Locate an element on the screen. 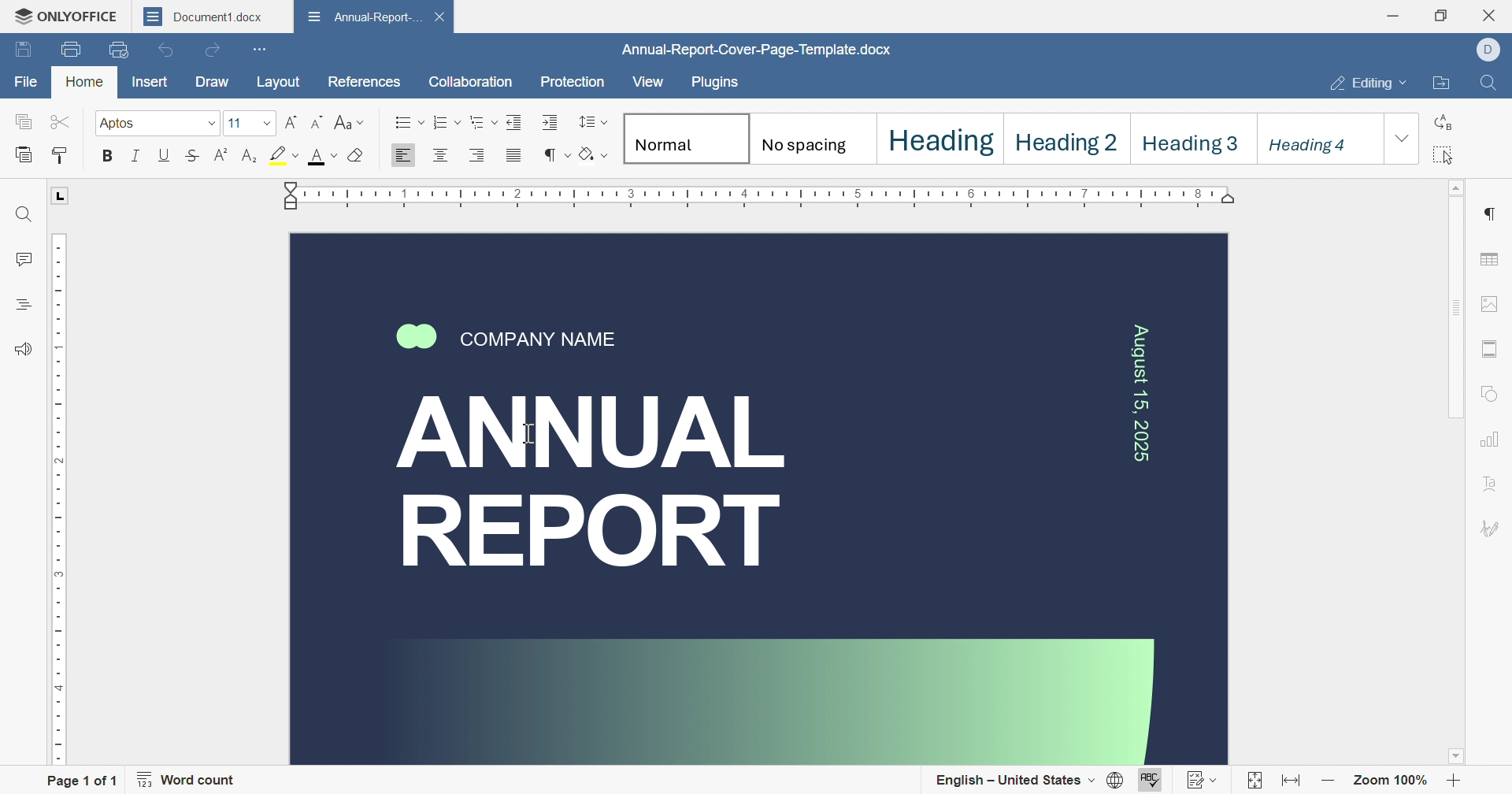 This screenshot has width=1512, height=794. english - united states is located at coordinates (1015, 781).